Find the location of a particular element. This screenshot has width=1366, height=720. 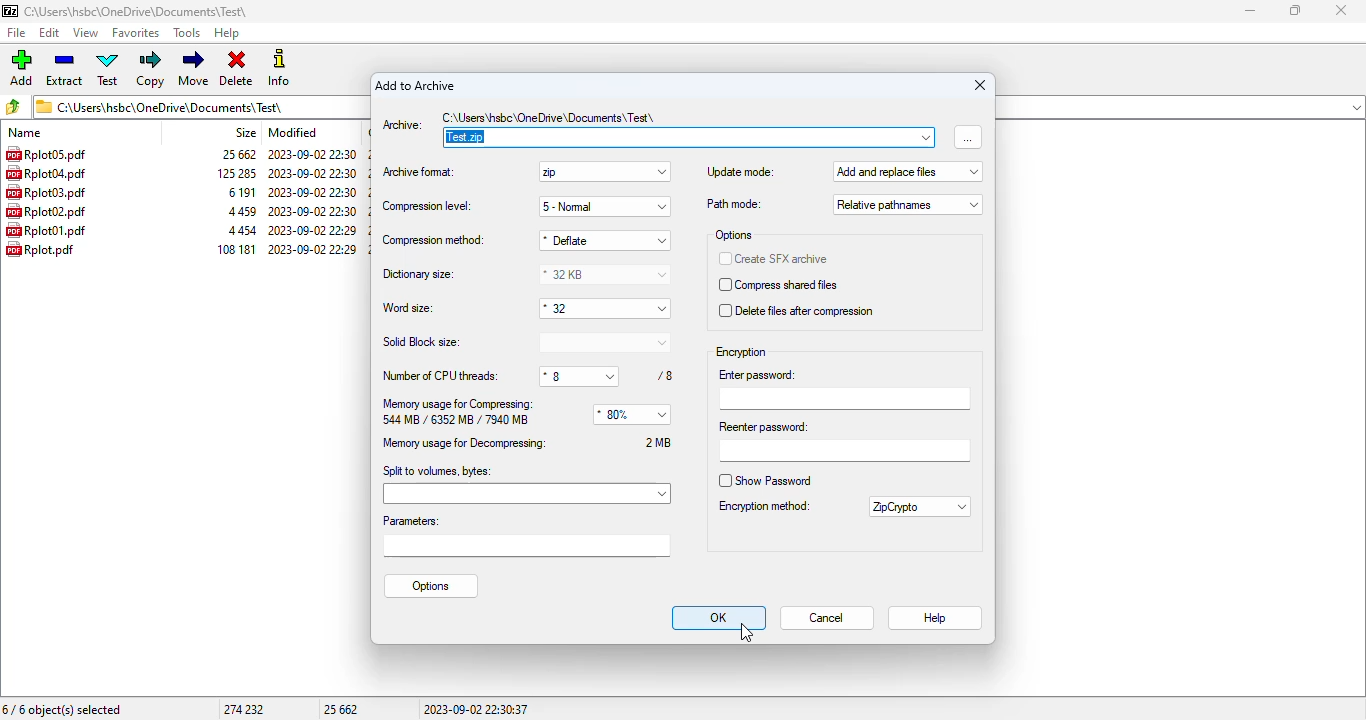

* 32 KB is located at coordinates (606, 274).